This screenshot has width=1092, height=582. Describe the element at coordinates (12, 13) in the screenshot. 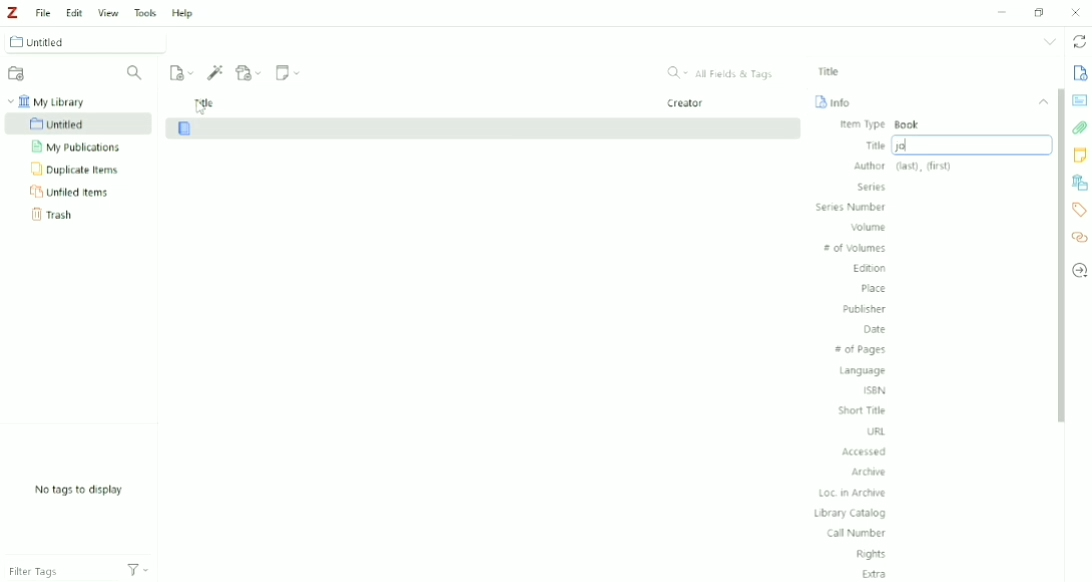

I see `Logo` at that location.